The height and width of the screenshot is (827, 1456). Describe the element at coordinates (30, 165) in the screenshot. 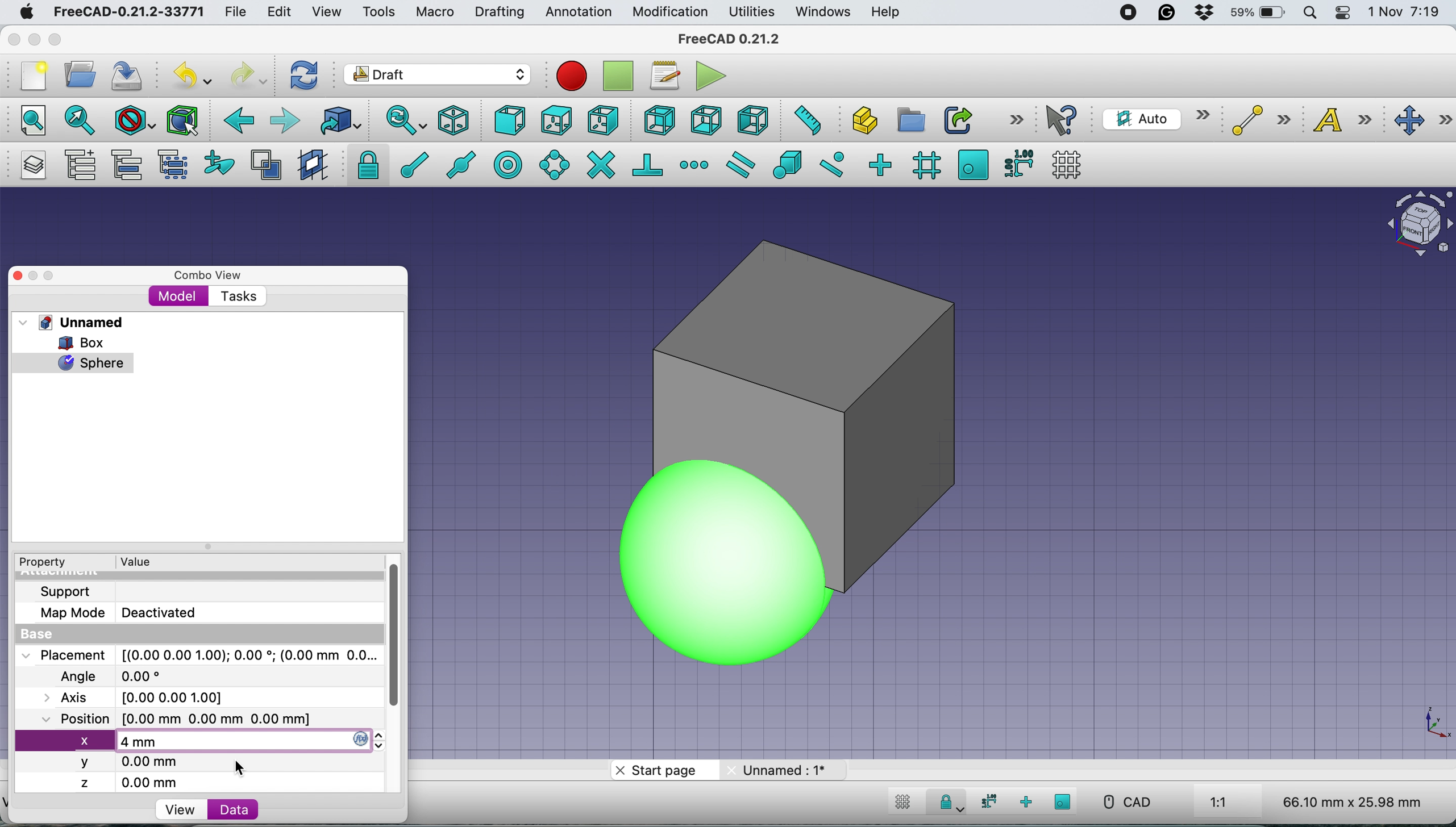

I see `manage layers` at that location.